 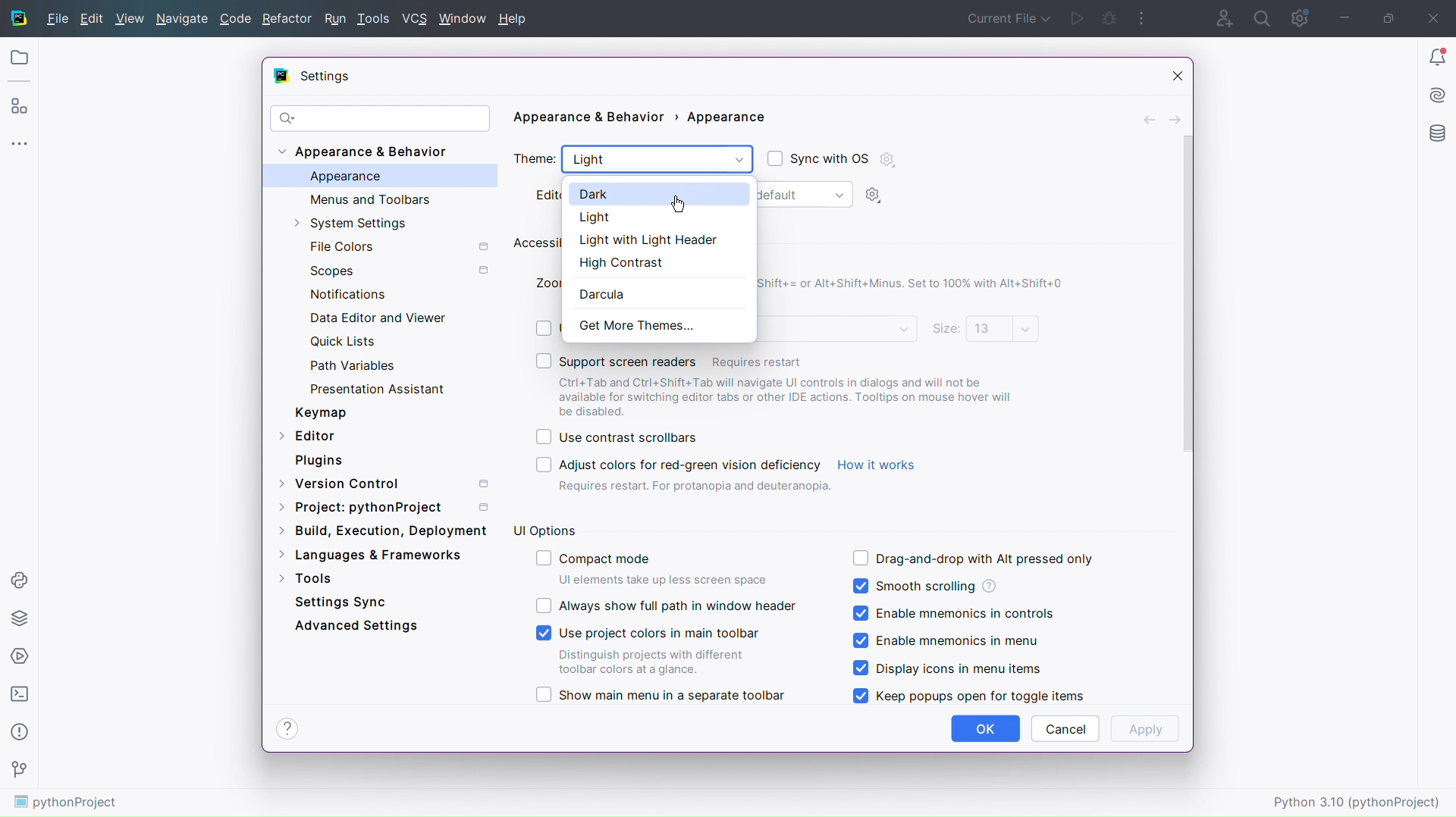 I want to click on Apply, so click(x=1146, y=729).